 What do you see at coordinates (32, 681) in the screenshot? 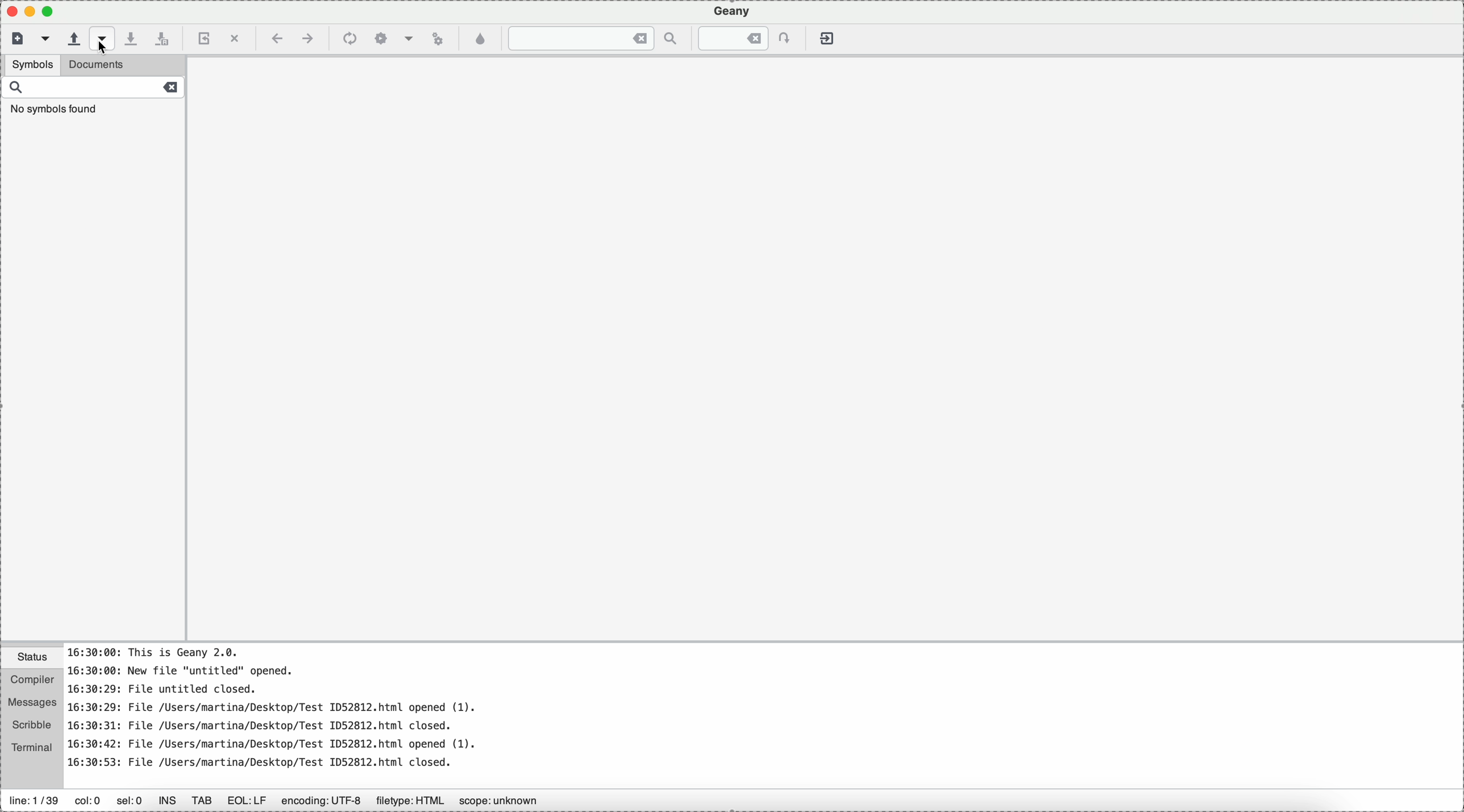
I see `compiler` at bounding box center [32, 681].